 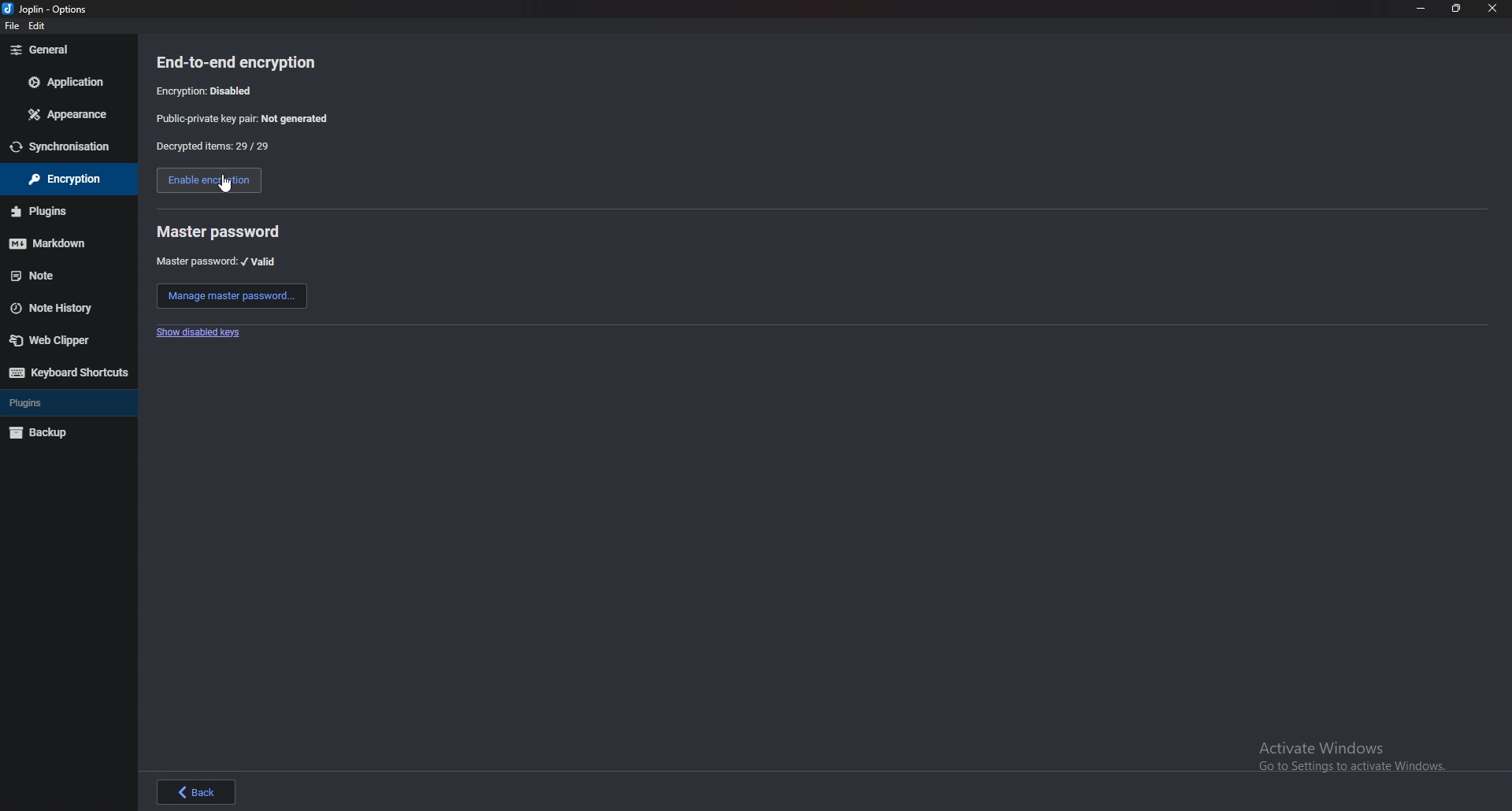 I want to click on master password, so click(x=220, y=231).